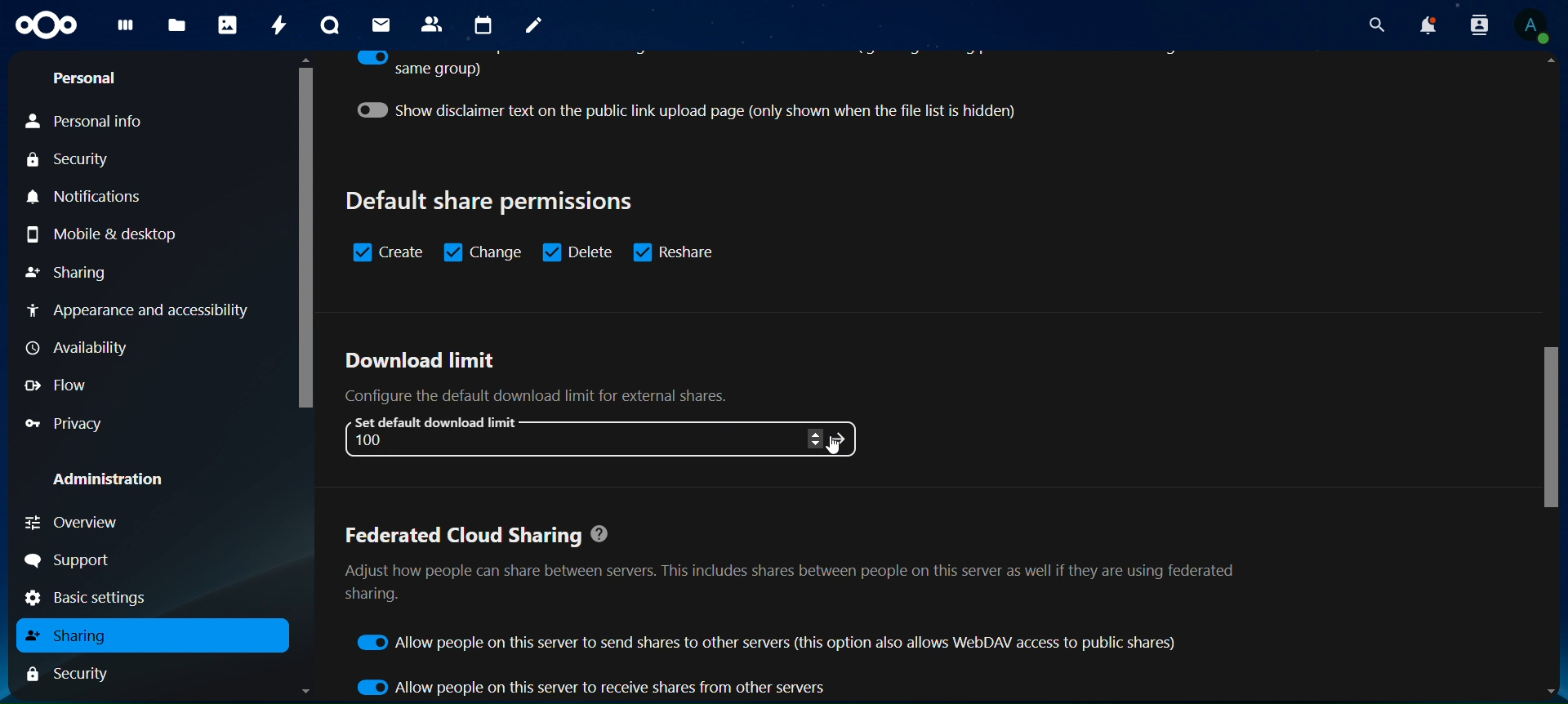  Describe the element at coordinates (833, 449) in the screenshot. I see `Cursor` at that location.